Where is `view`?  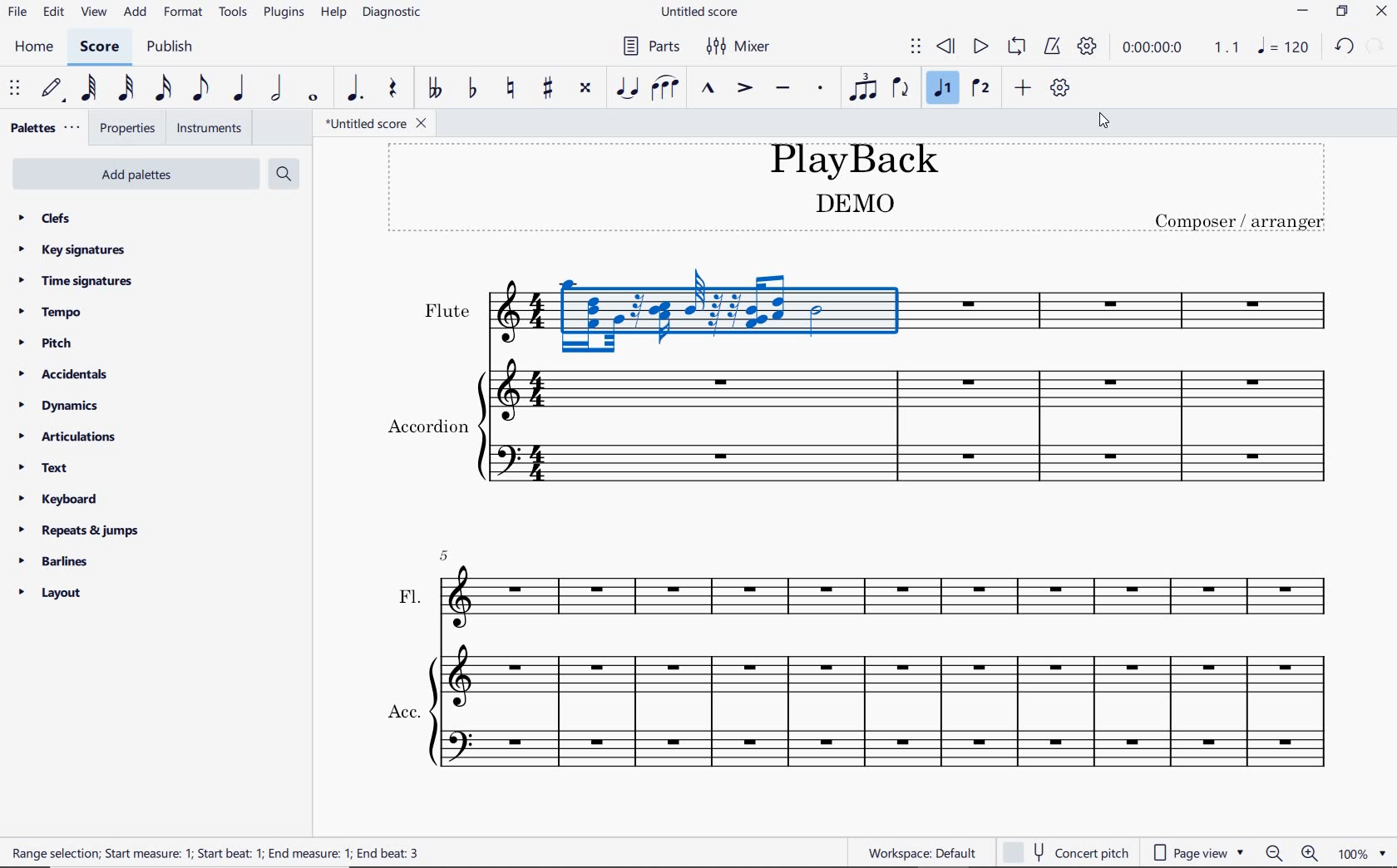 view is located at coordinates (93, 12).